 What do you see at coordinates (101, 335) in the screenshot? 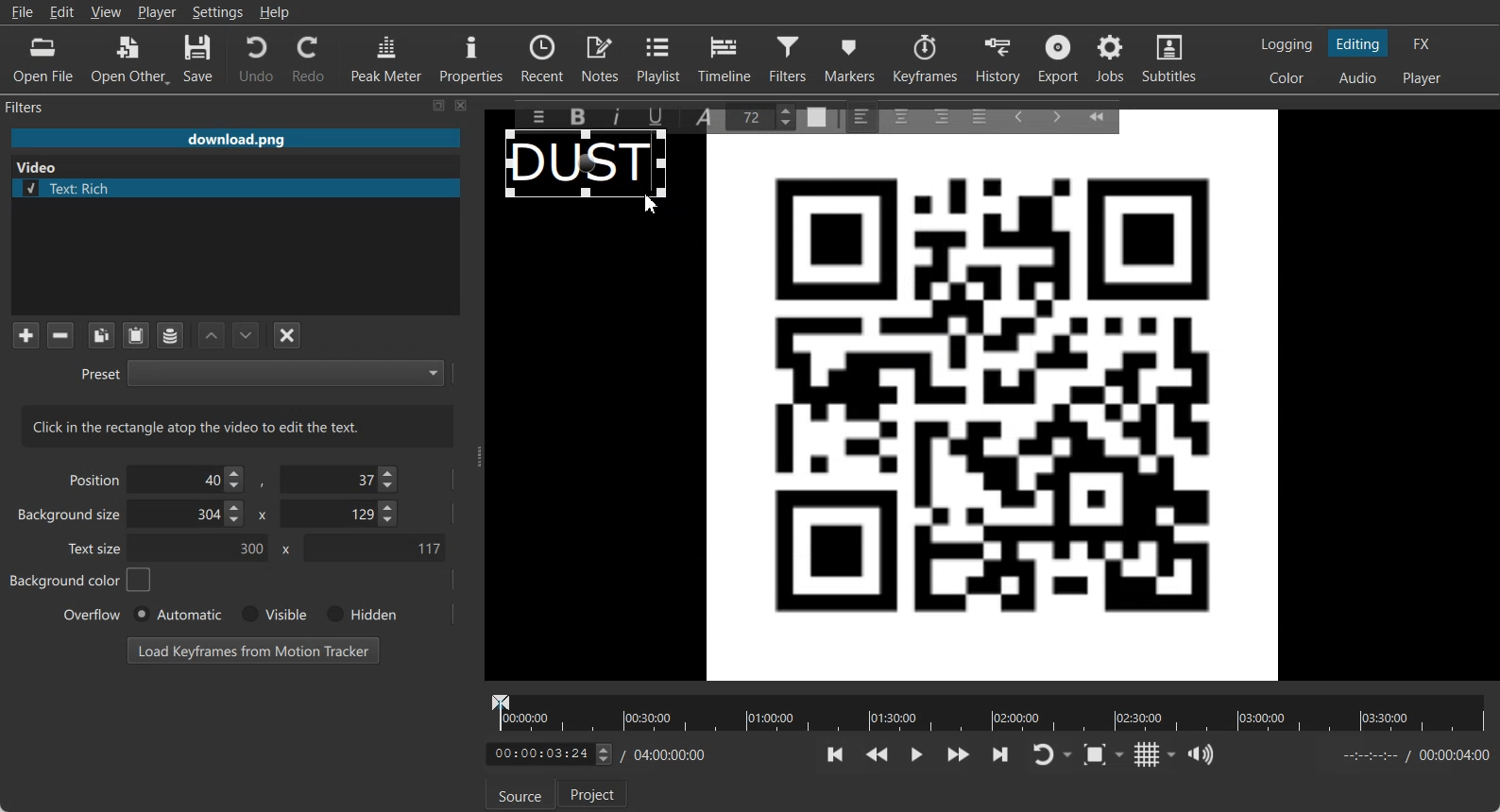
I see `Copy checked filters` at bounding box center [101, 335].